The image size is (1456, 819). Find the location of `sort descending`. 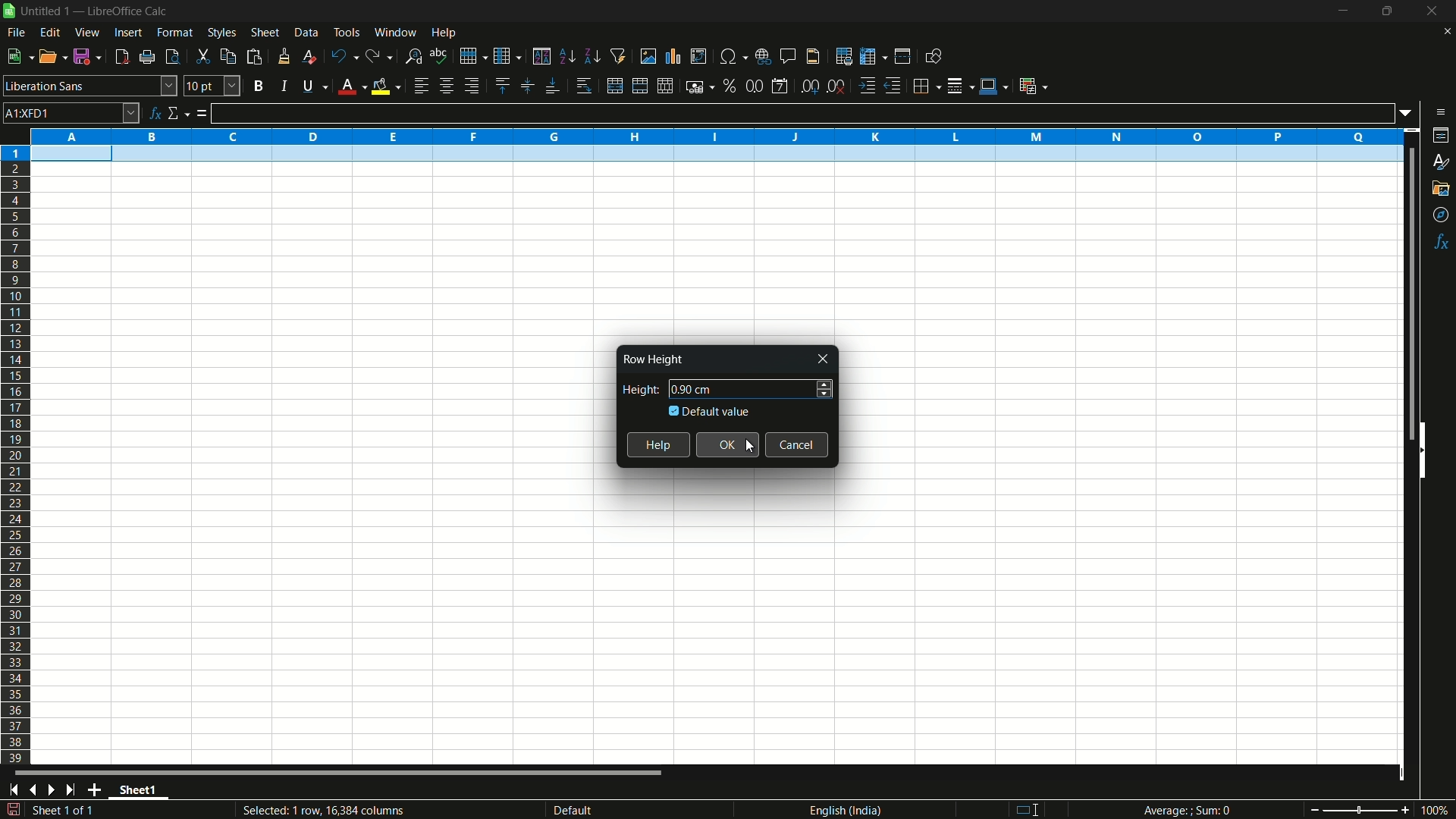

sort descending is located at coordinates (591, 56).